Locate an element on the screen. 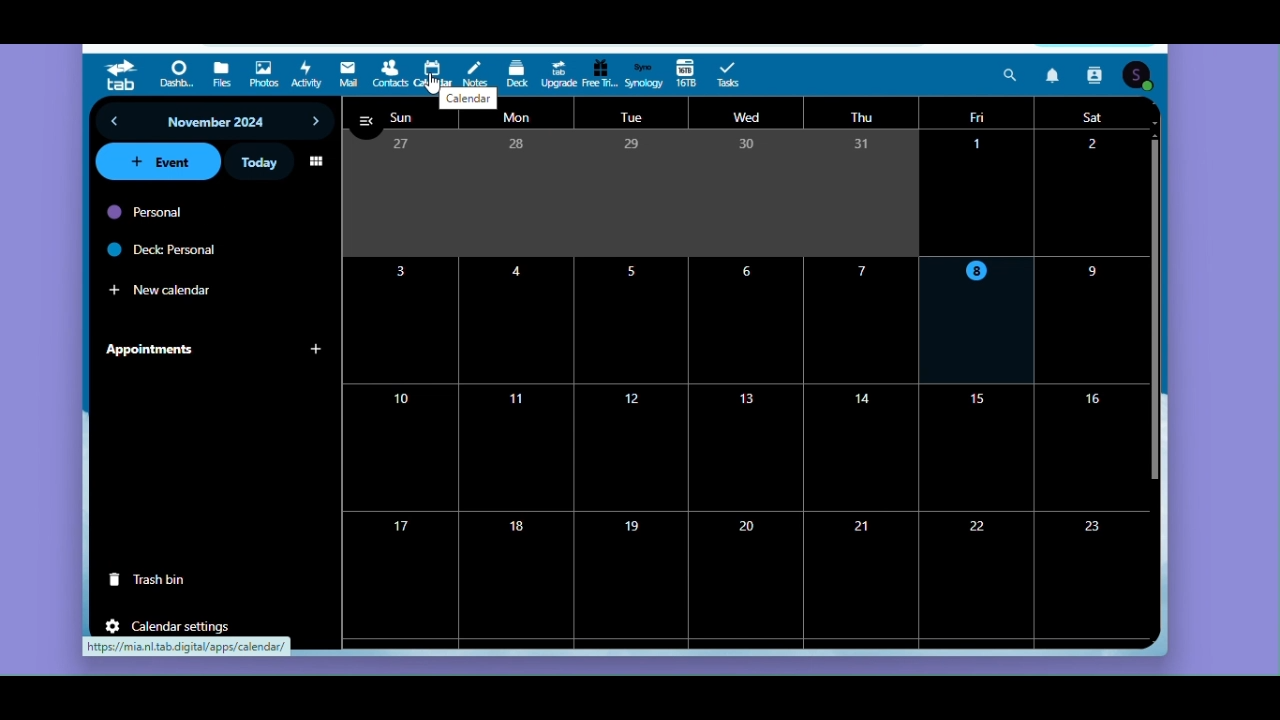  Contacts is located at coordinates (1098, 75).